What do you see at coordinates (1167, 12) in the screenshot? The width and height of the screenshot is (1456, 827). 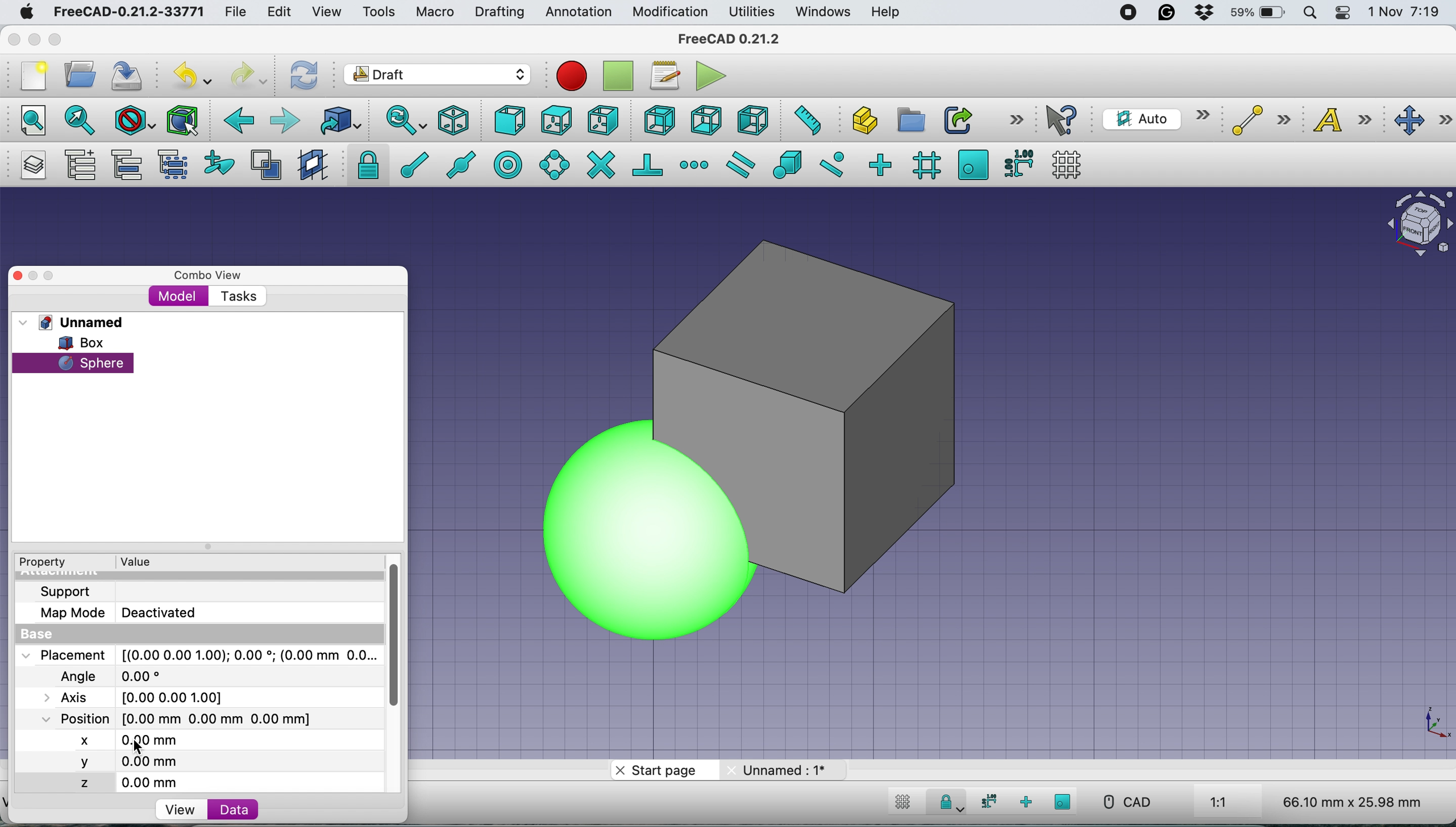 I see `grammarly` at bounding box center [1167, 12].